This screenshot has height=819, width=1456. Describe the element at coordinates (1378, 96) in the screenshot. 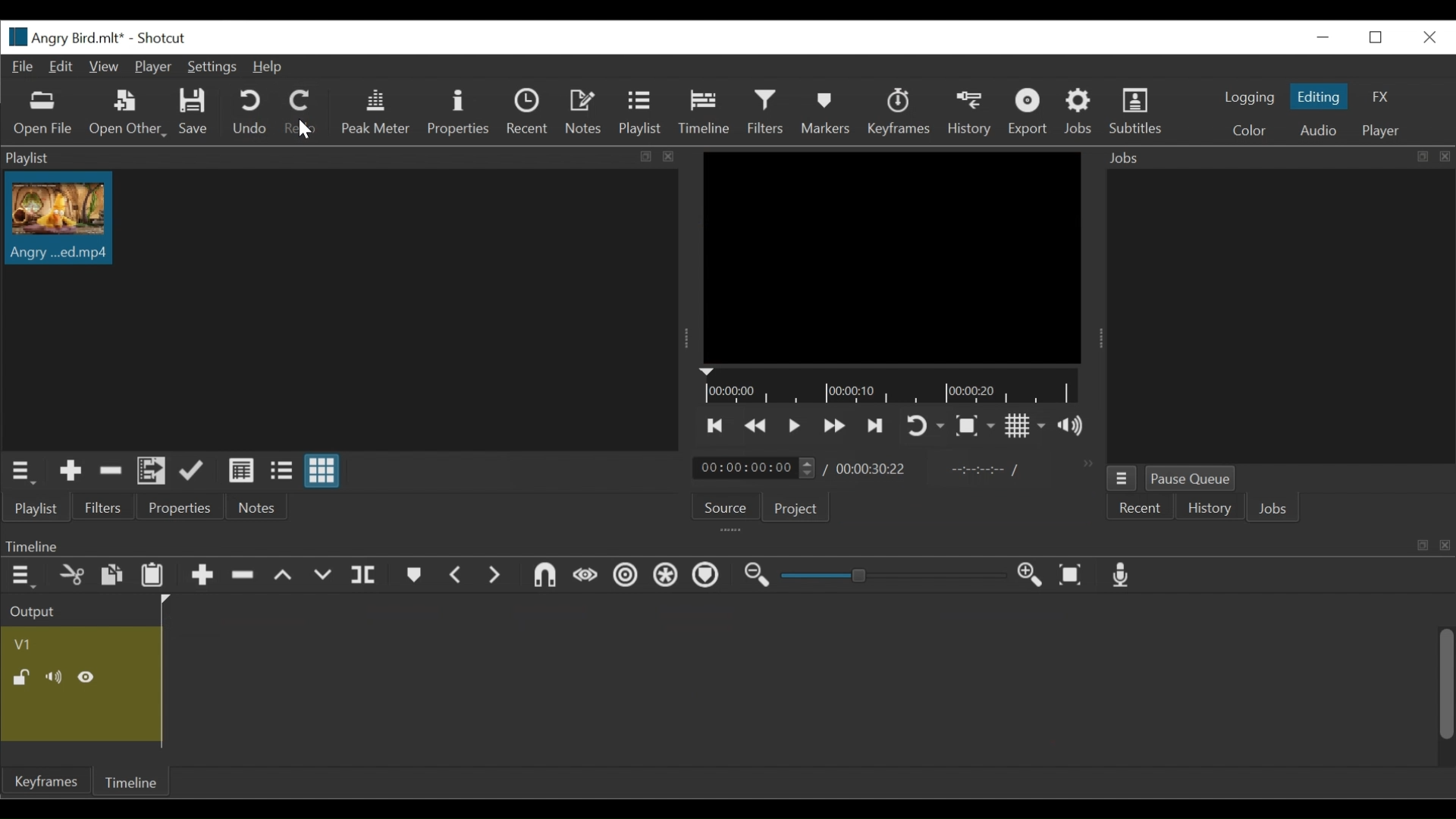

I see `FX` at that location.